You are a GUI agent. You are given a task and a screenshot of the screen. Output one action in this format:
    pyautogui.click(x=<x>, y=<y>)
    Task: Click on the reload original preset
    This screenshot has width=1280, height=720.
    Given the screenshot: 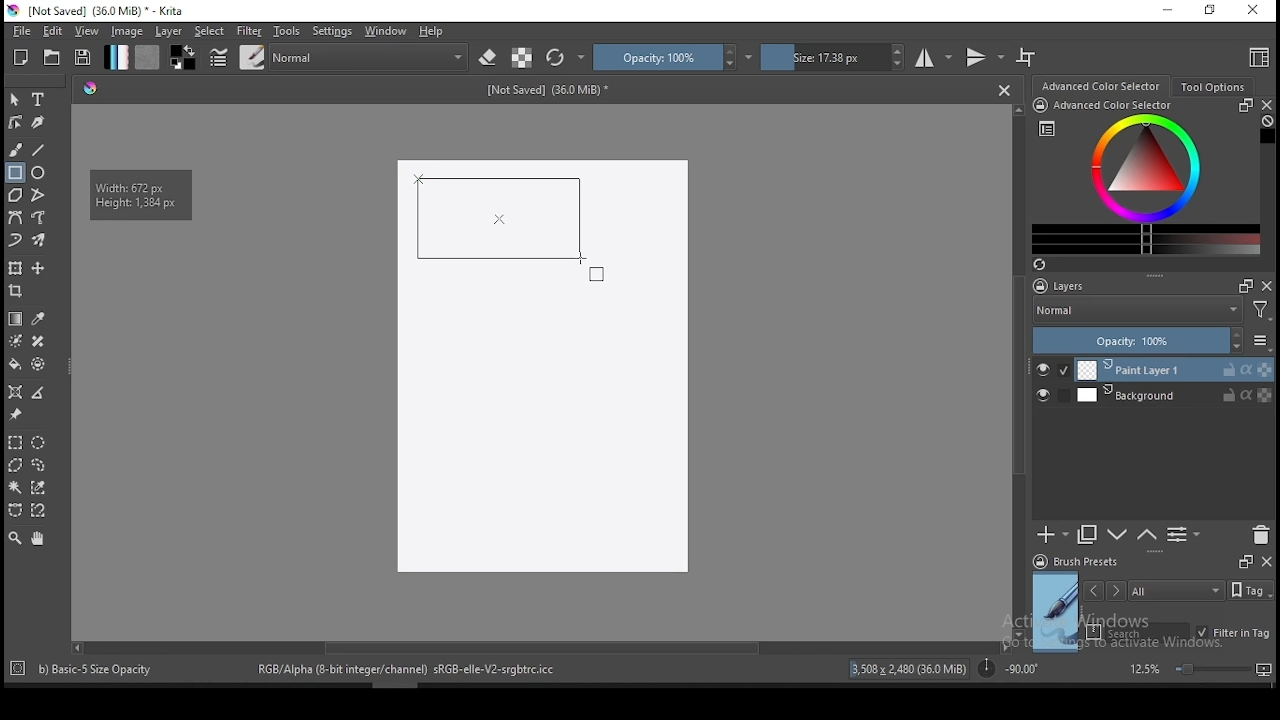 What is the action you would take?
    pyautogui.click(x=566, y=57)
    